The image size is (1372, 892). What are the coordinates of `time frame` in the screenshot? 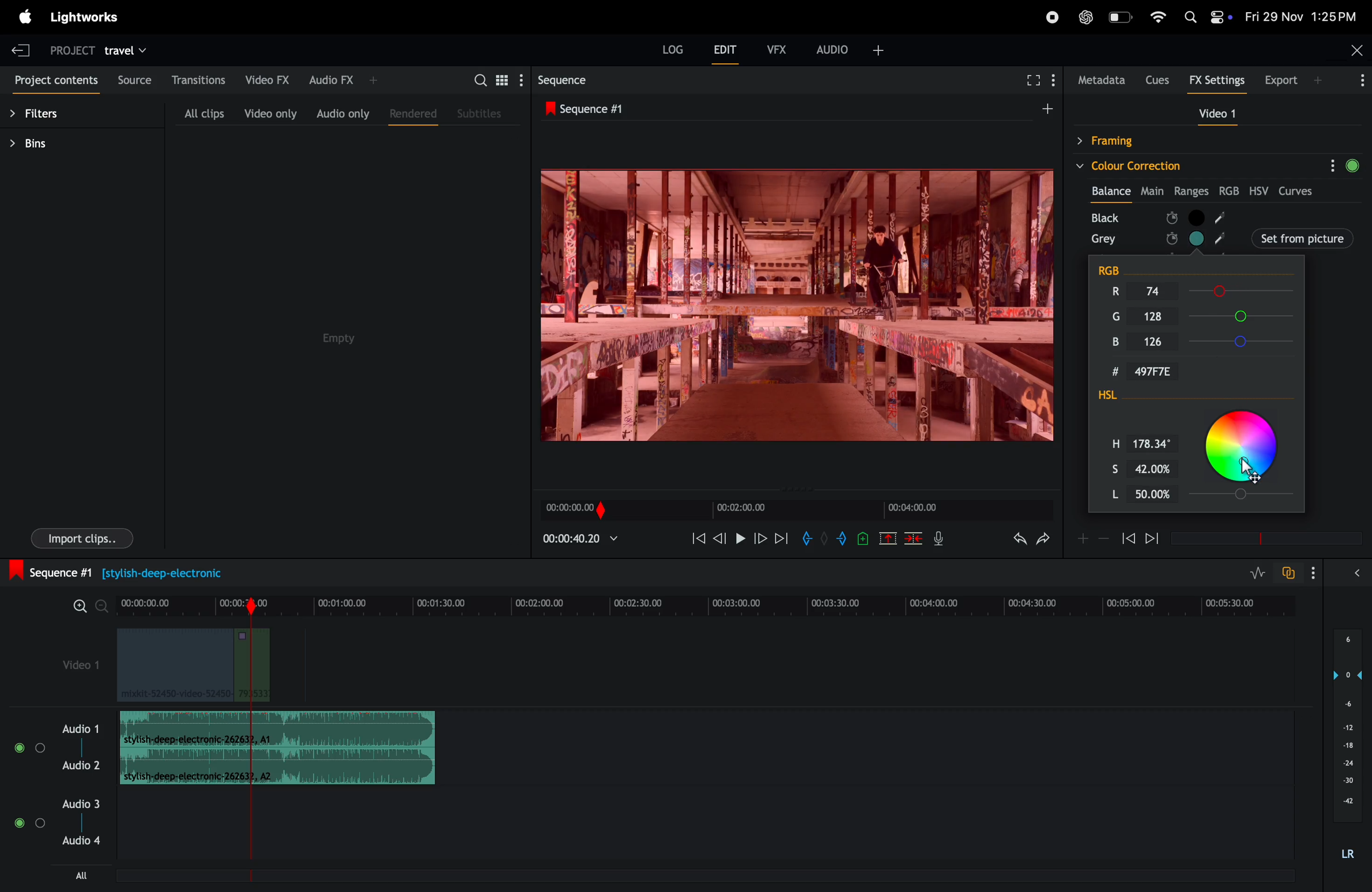 It's located at (1262, 539).